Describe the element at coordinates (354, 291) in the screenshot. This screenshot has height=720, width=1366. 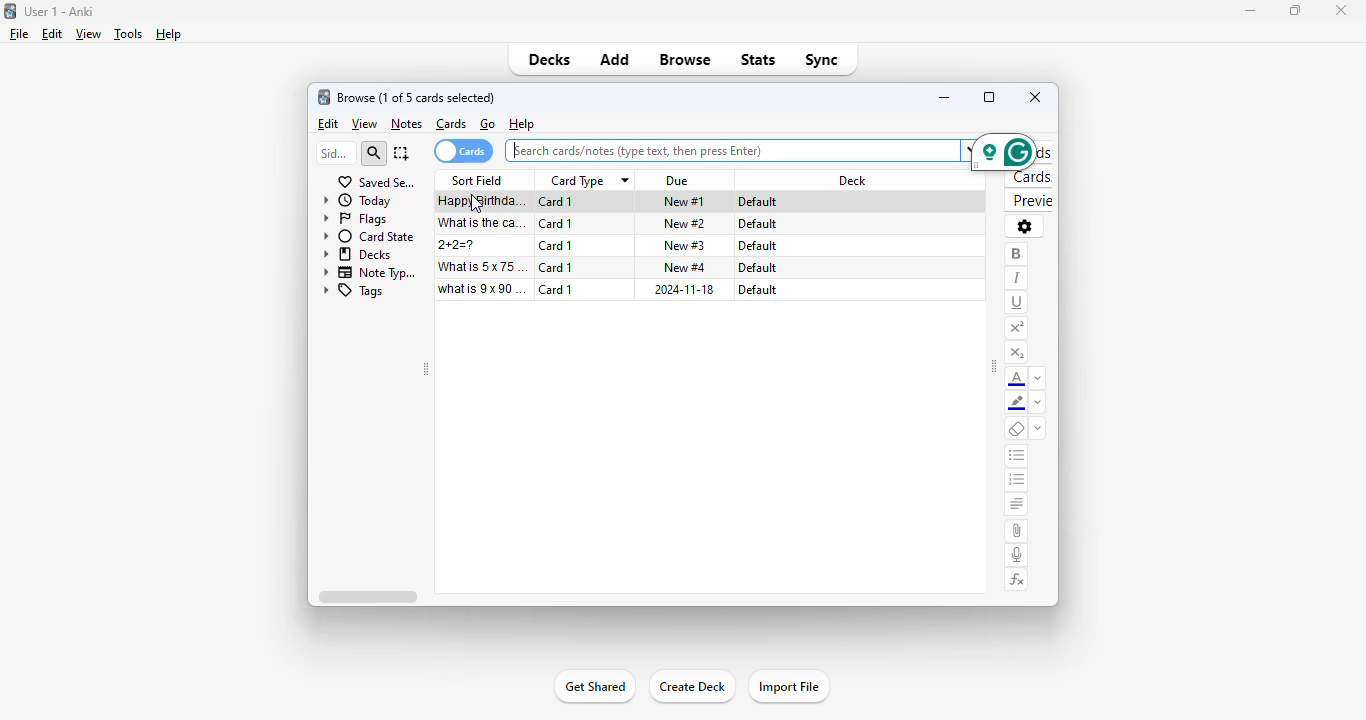
I see `tags` at that location.